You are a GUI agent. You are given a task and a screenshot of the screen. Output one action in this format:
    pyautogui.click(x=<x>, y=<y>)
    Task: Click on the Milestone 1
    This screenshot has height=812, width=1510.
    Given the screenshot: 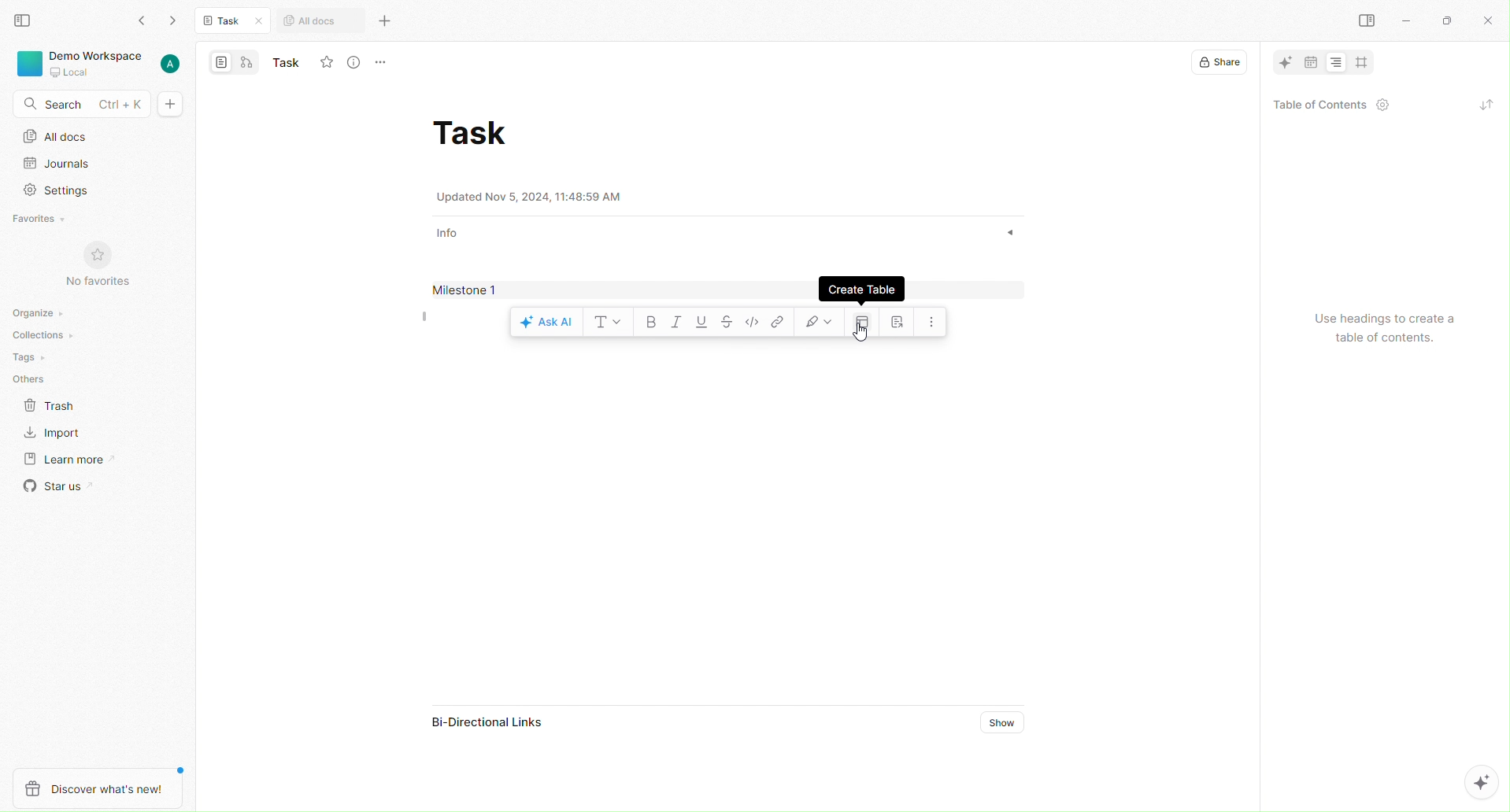 What is the action you would take?
    pyautogui.click(x=469, y=287)
    